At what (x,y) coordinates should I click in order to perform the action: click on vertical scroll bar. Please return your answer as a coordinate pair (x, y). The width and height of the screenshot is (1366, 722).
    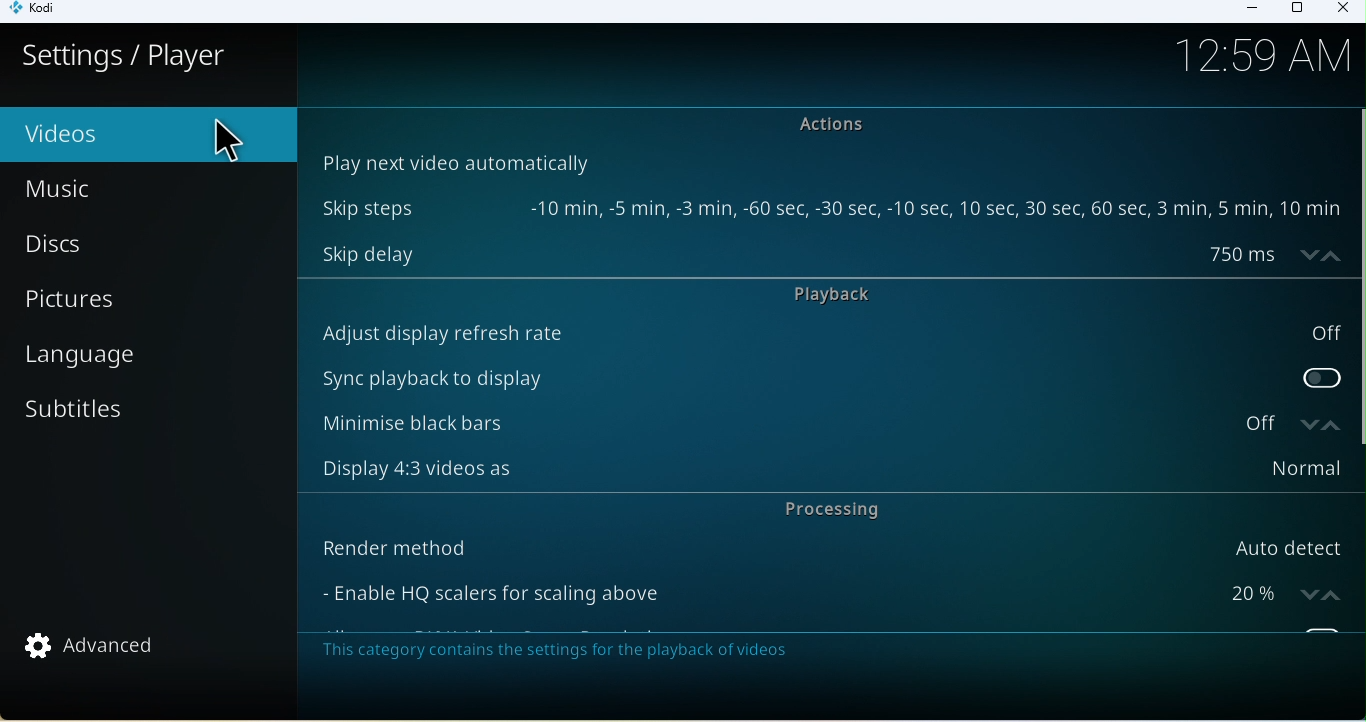
    Looking at the image, I should click on (1357, 277).